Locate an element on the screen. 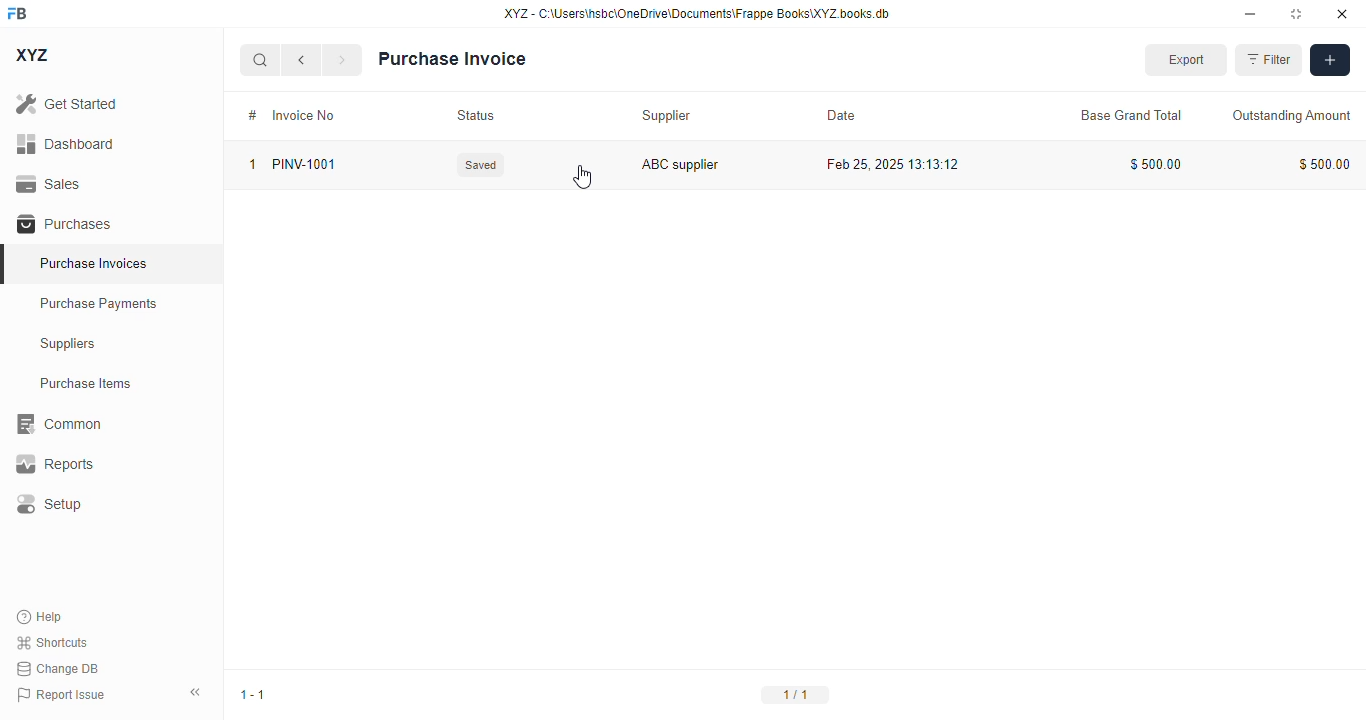  status is located at coordinates (475, 115).